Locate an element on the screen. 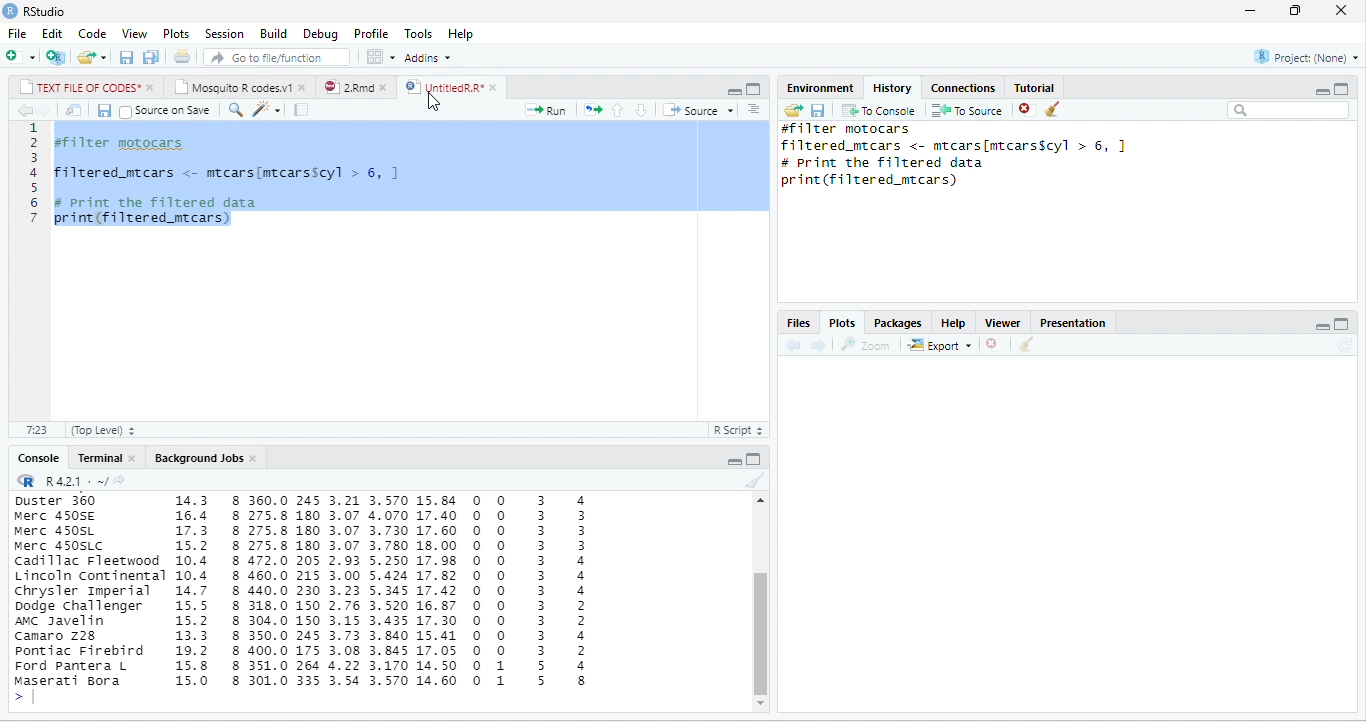 This screenshot has width=1366, height=722. Help is located at coordinates (953, 323).